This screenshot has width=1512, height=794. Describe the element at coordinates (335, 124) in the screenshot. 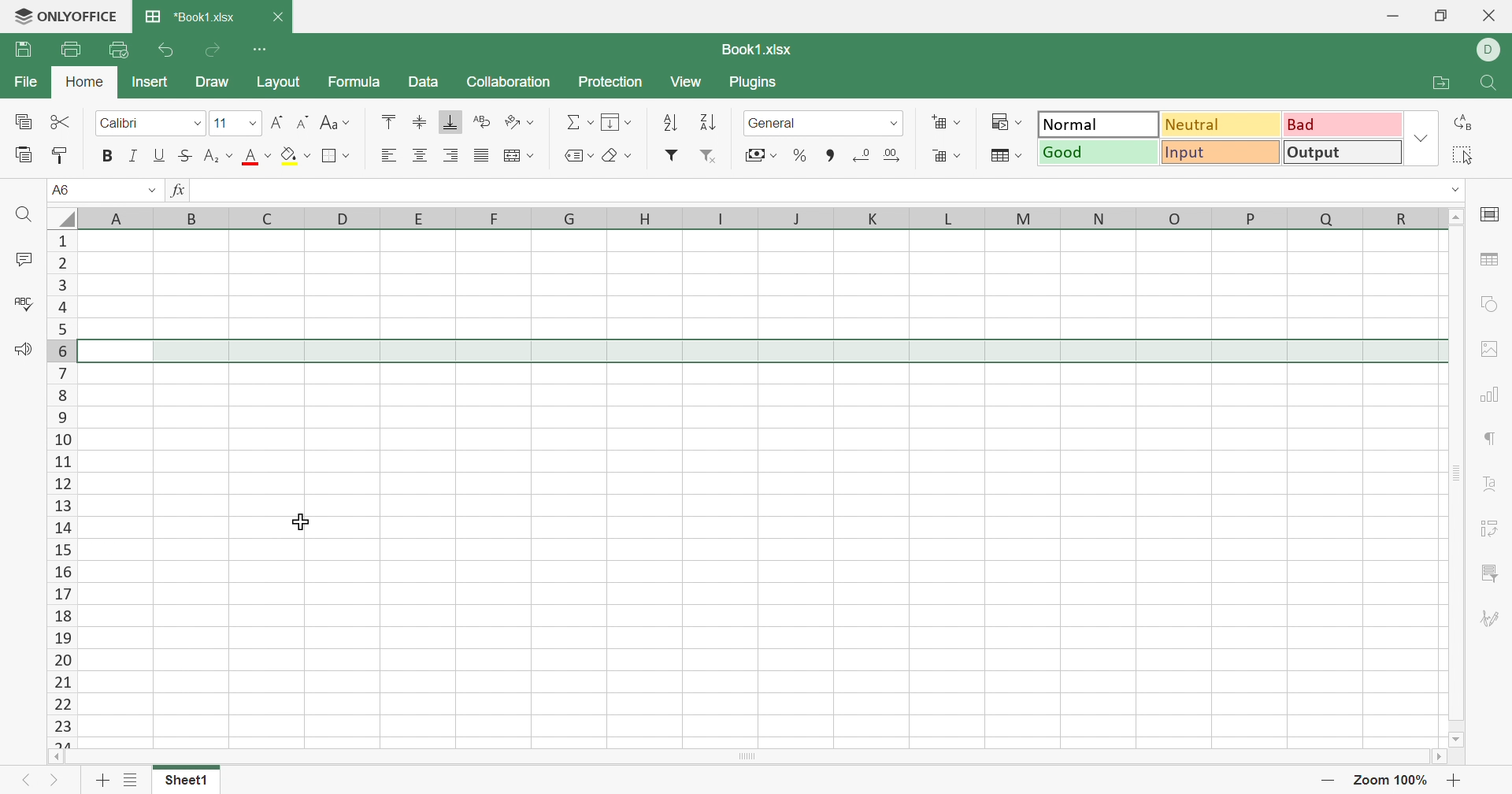

I see `Change case` at that location.